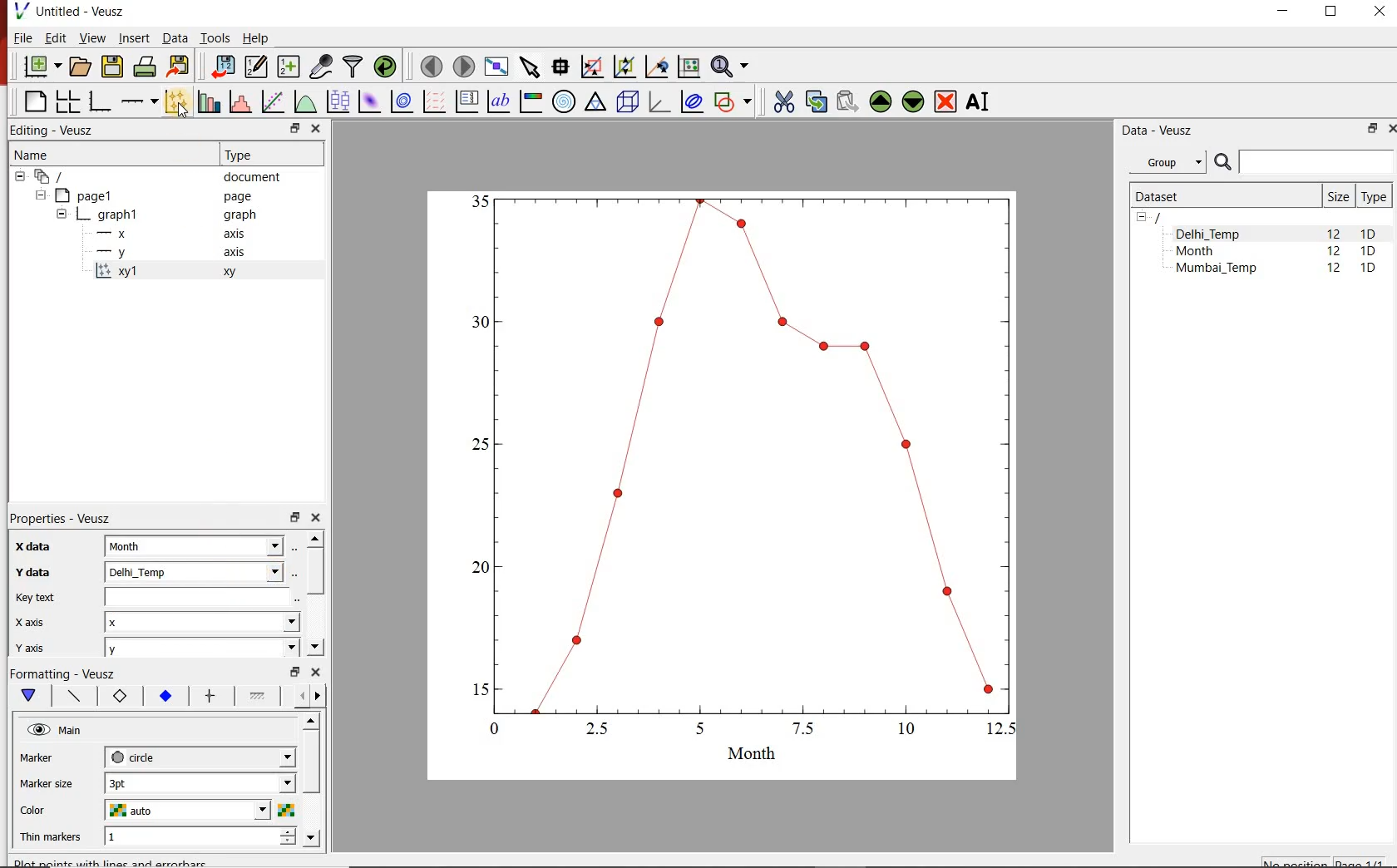 This screenshot has width=1397, height=868. Describe the element at coordinates (1369, 234) in the screenshot. I see `1D` at that location.